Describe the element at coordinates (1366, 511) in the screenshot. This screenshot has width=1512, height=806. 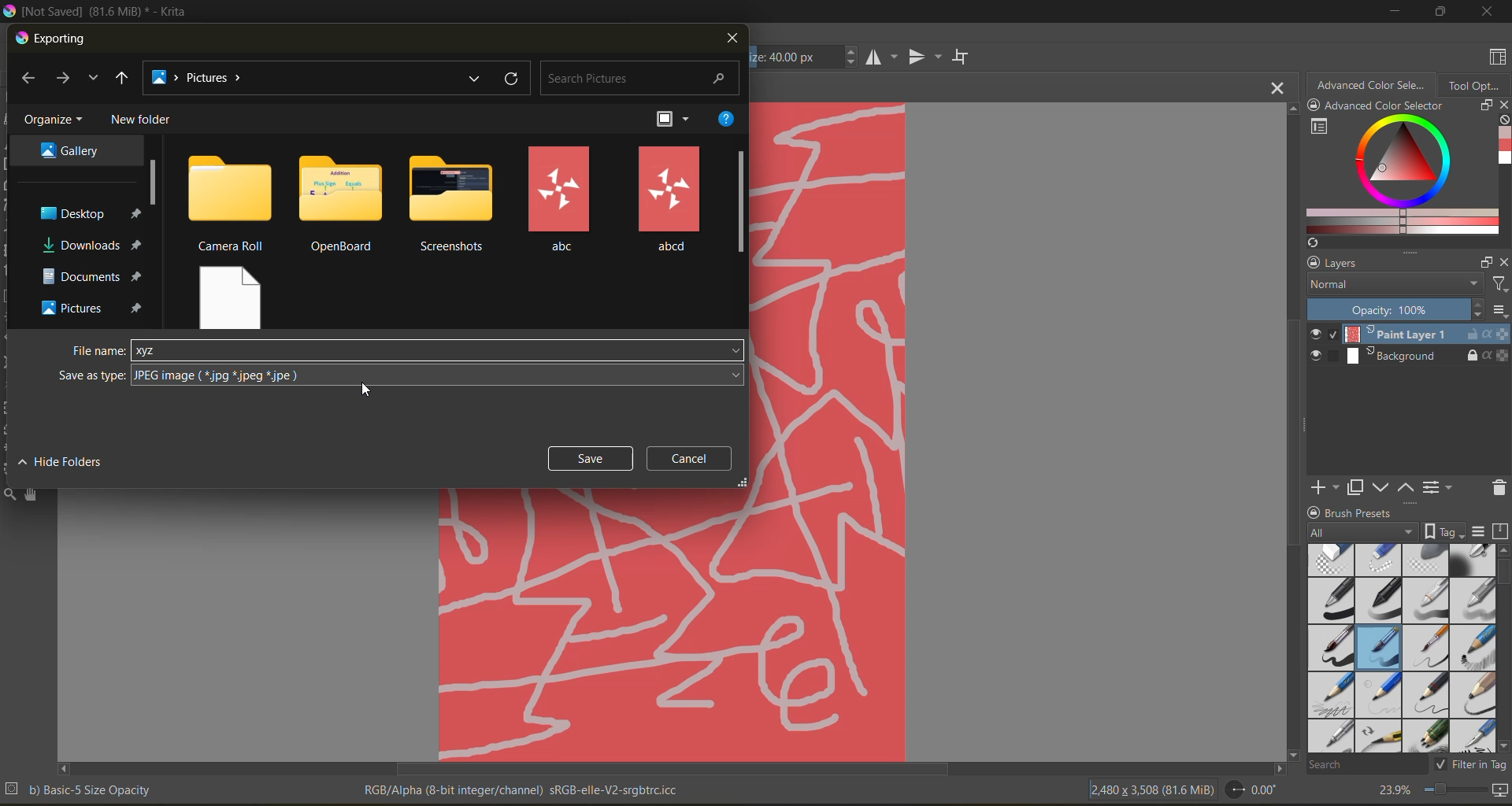
I see `Brush presets` at that location.